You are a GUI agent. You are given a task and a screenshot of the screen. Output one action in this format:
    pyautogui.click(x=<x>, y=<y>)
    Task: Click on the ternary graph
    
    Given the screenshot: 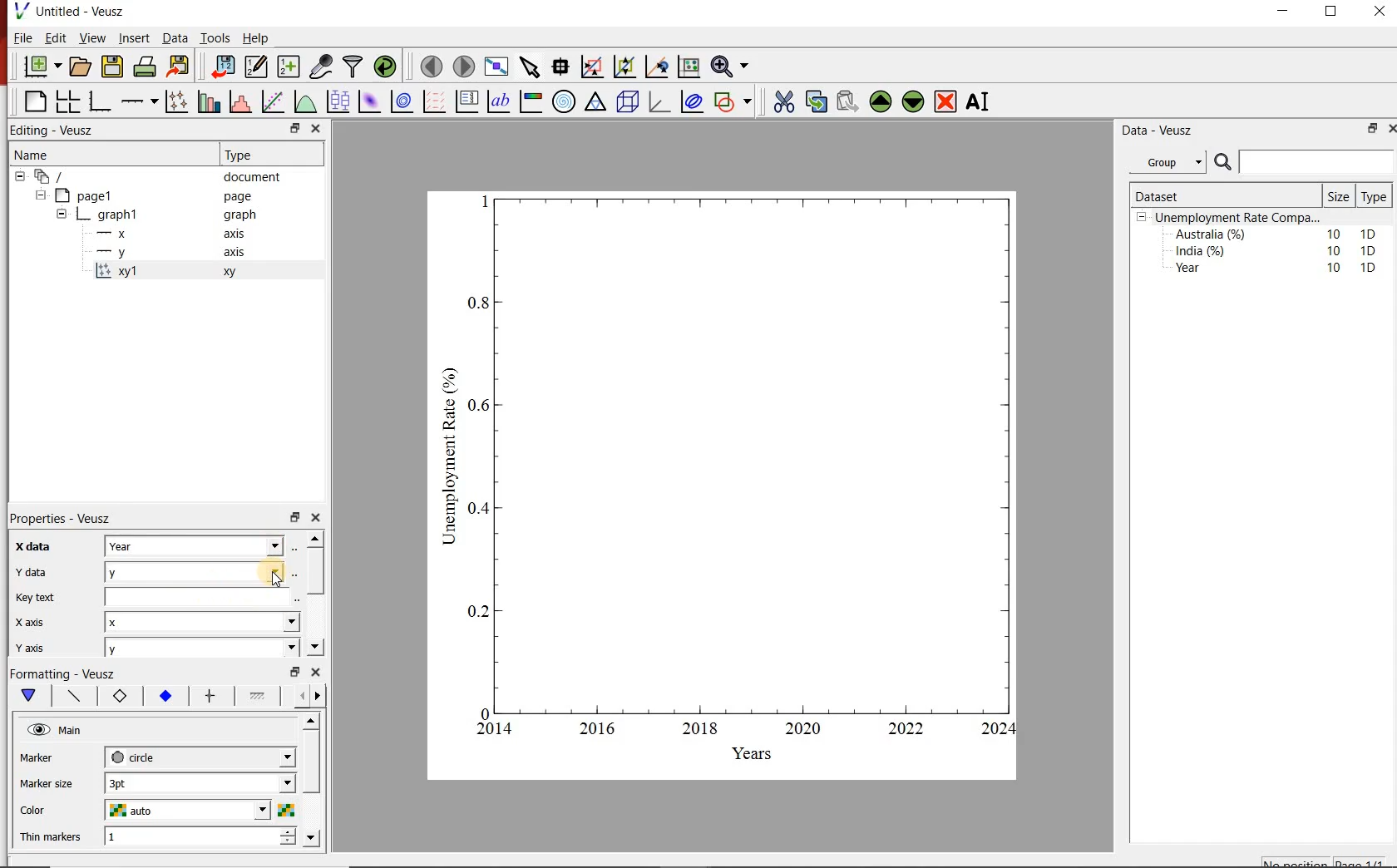 What is the action you would take?
    pyautogui.click(x=595, y=101)
    